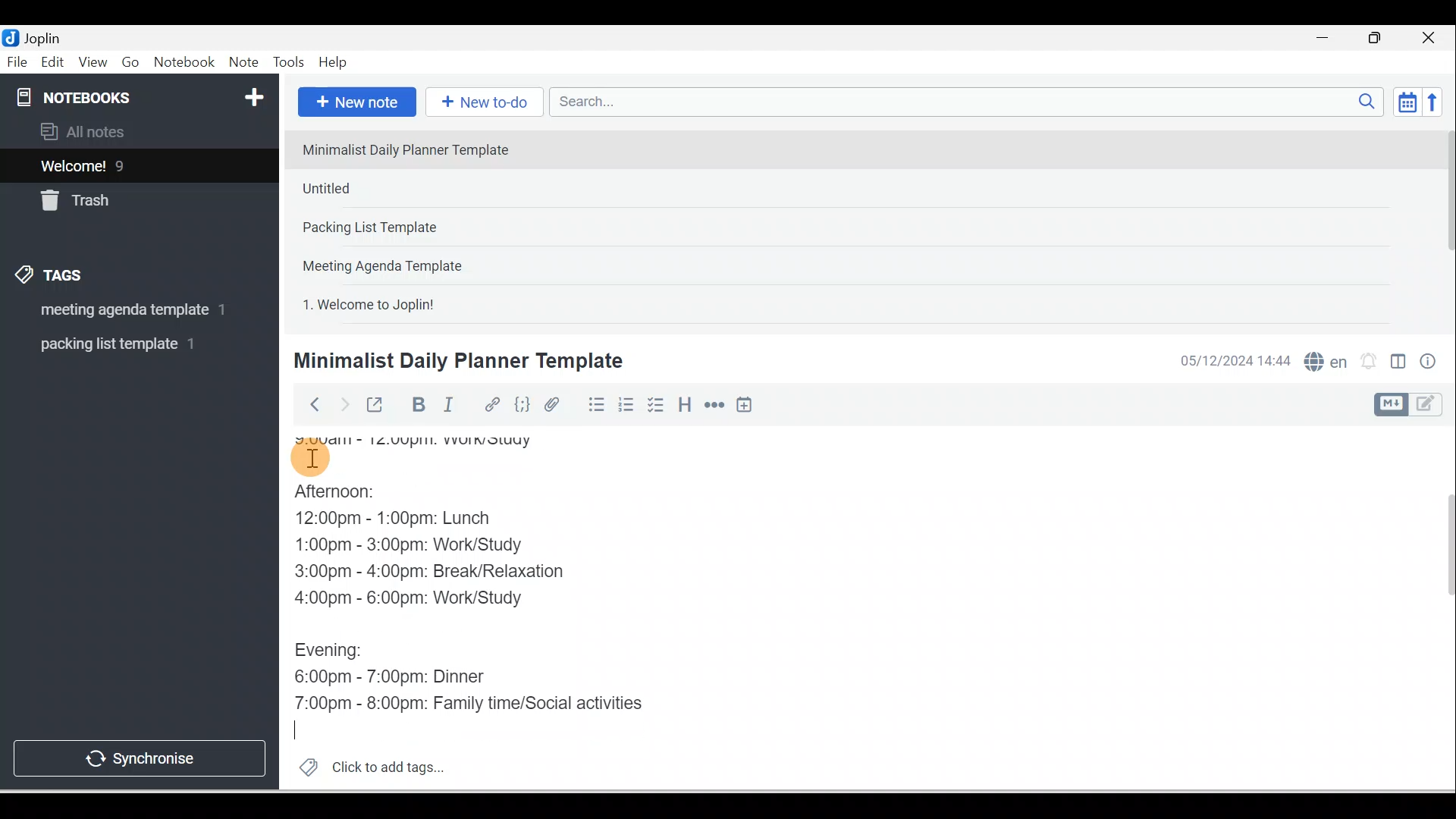  I want to click on Hyperlink, so click(491, 406).